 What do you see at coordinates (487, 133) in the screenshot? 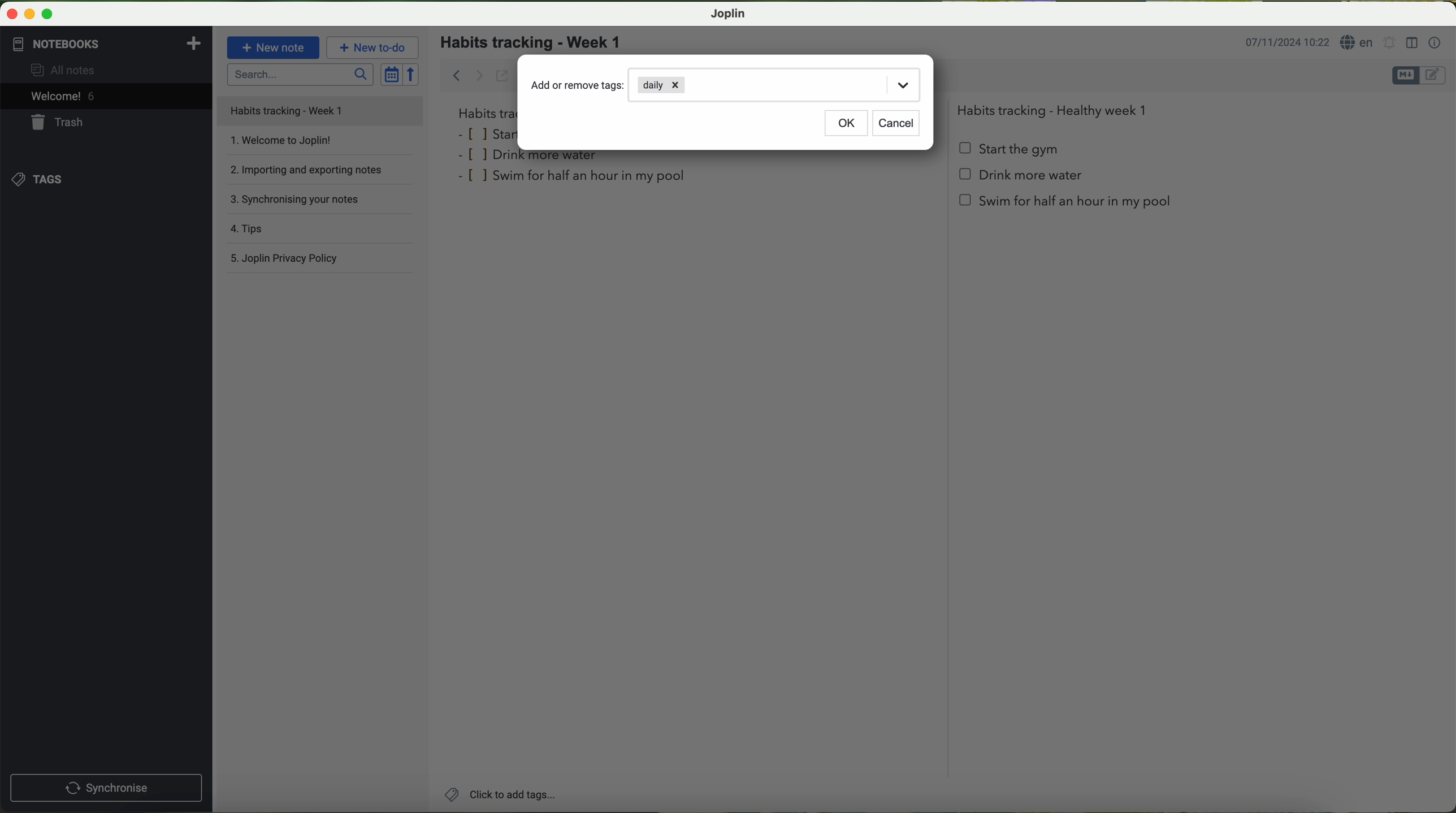
I see `star` at bounding box center [487, 133].